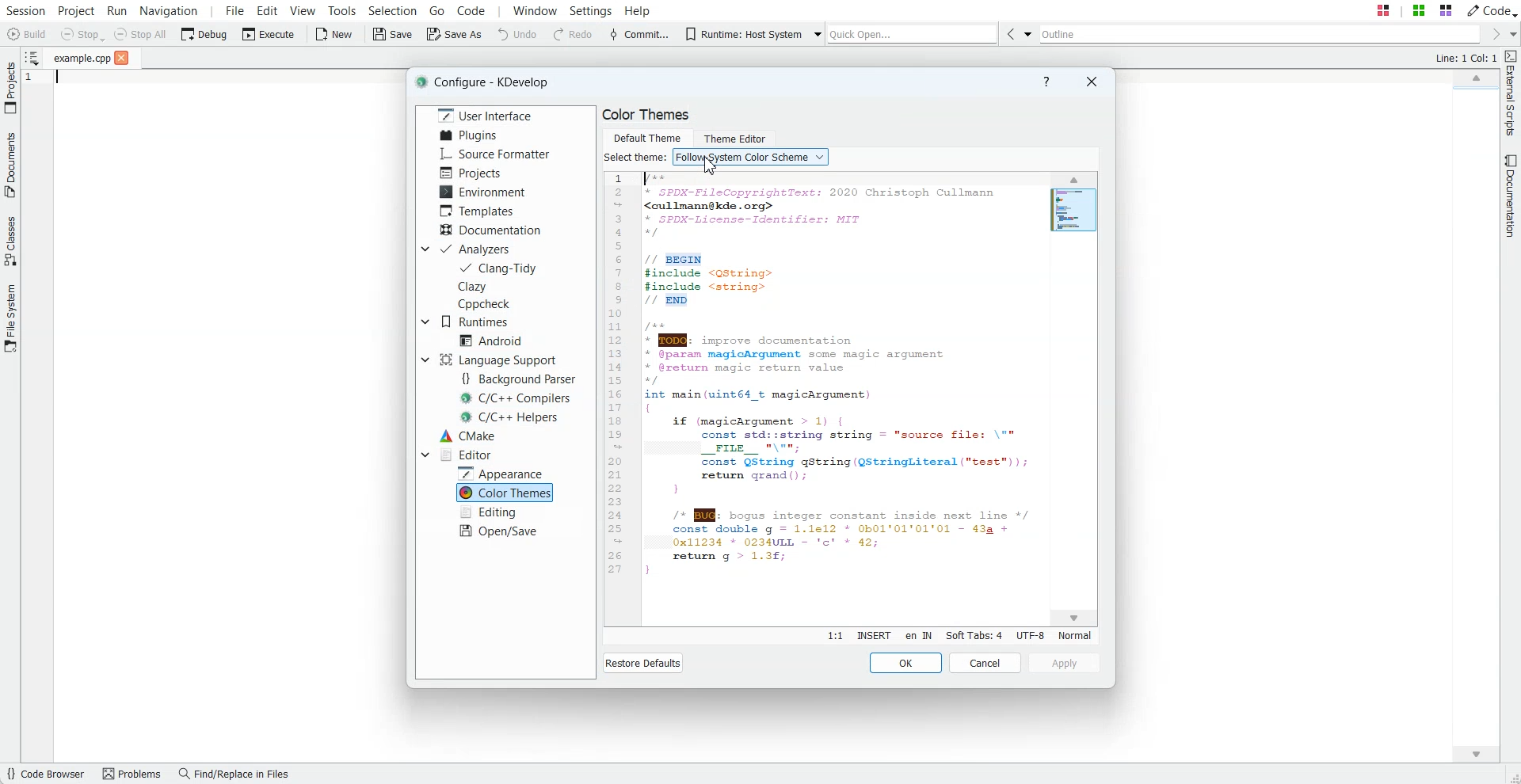 The width and height of the screenshot is (1521, 784). What do you see at coordinates (646, 136) in the screenshot?
I see `Default Theme` at bounding box center [646, 136].